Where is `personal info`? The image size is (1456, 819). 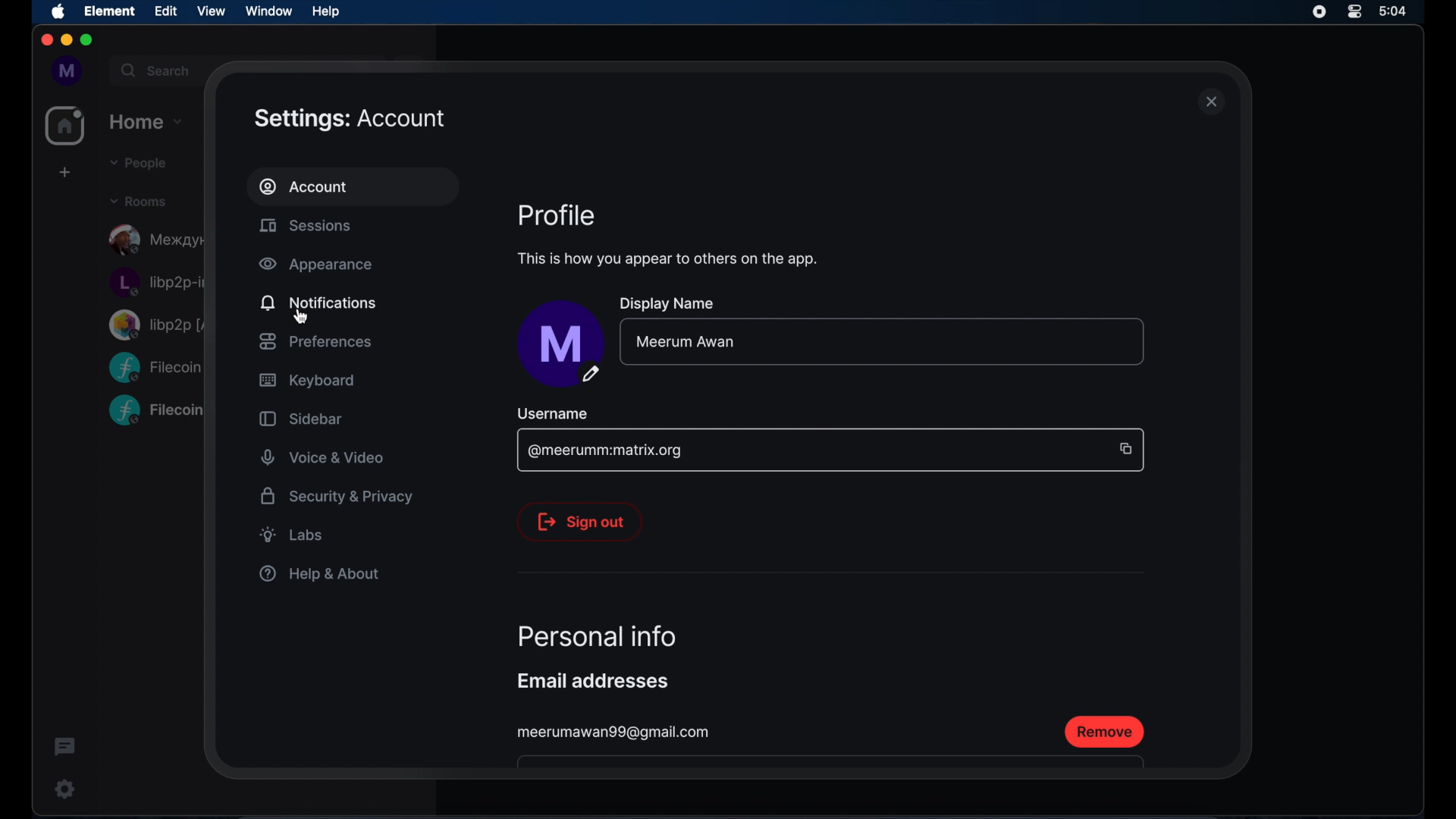 personal info is located at coordinates (597, 635).